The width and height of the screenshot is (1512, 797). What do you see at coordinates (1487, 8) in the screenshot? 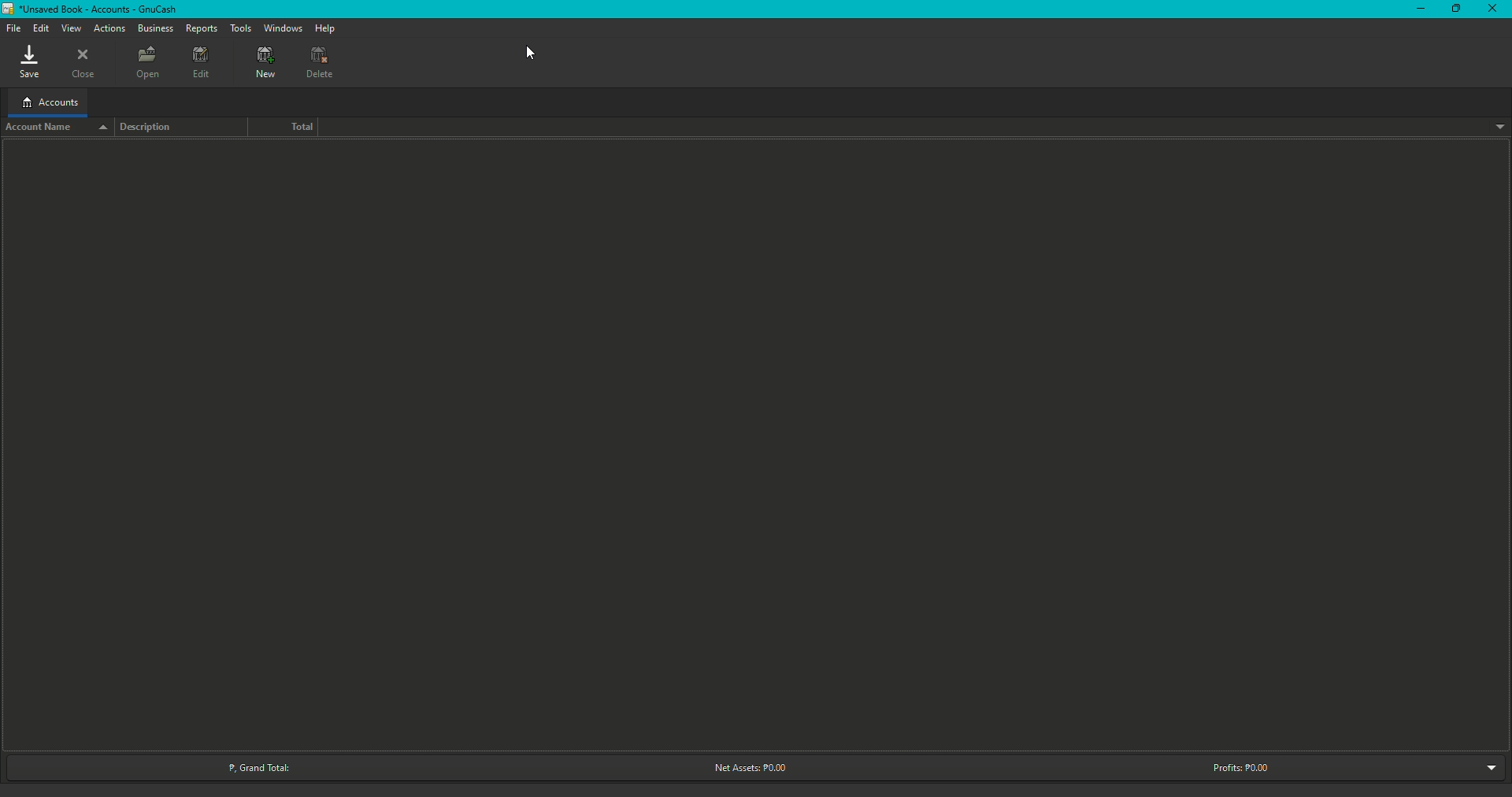
I see `Close` at bounding box center [1487, 8].